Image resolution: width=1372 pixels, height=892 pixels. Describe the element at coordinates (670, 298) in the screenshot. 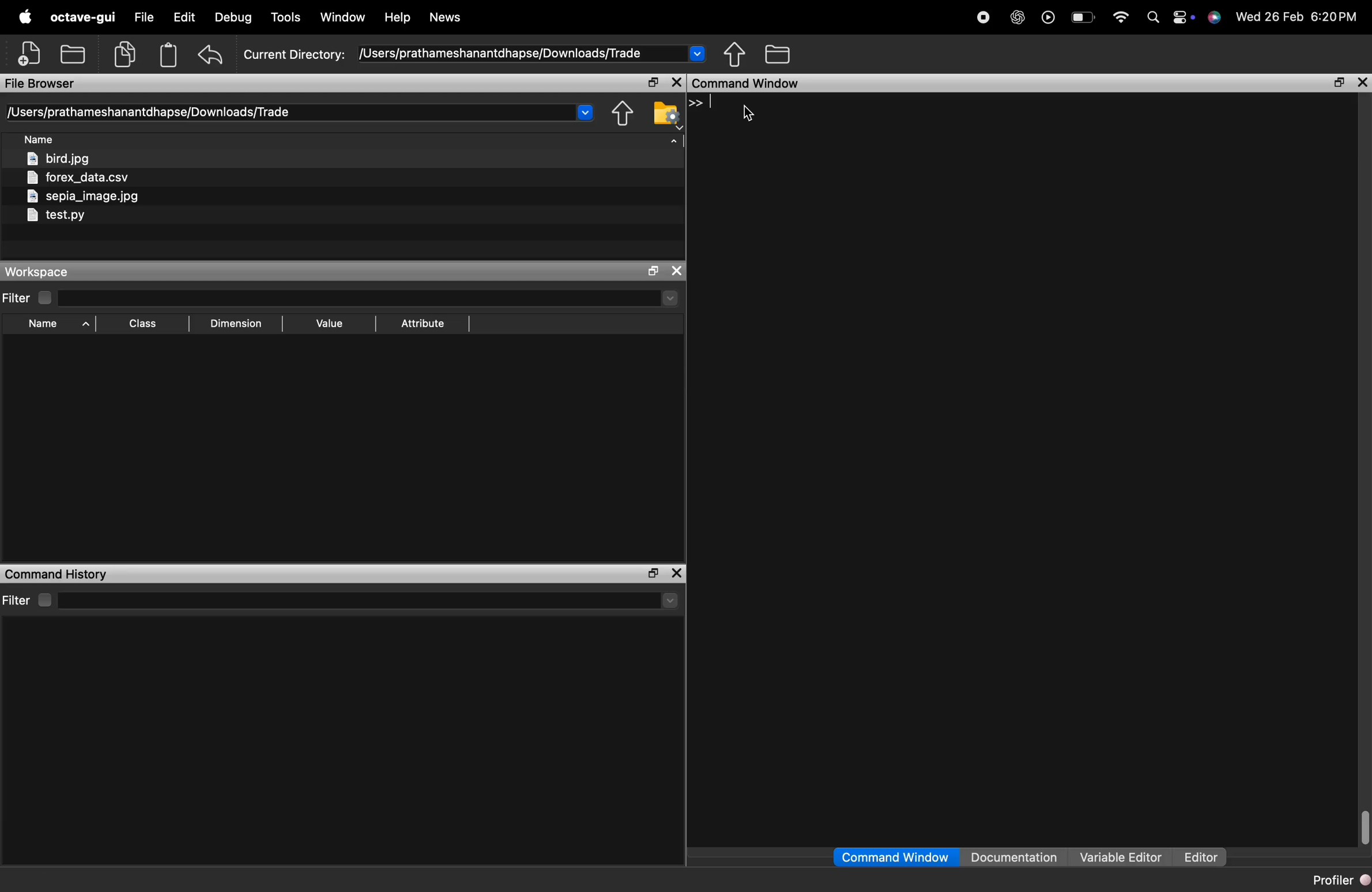

I see `dropdown` at that location.